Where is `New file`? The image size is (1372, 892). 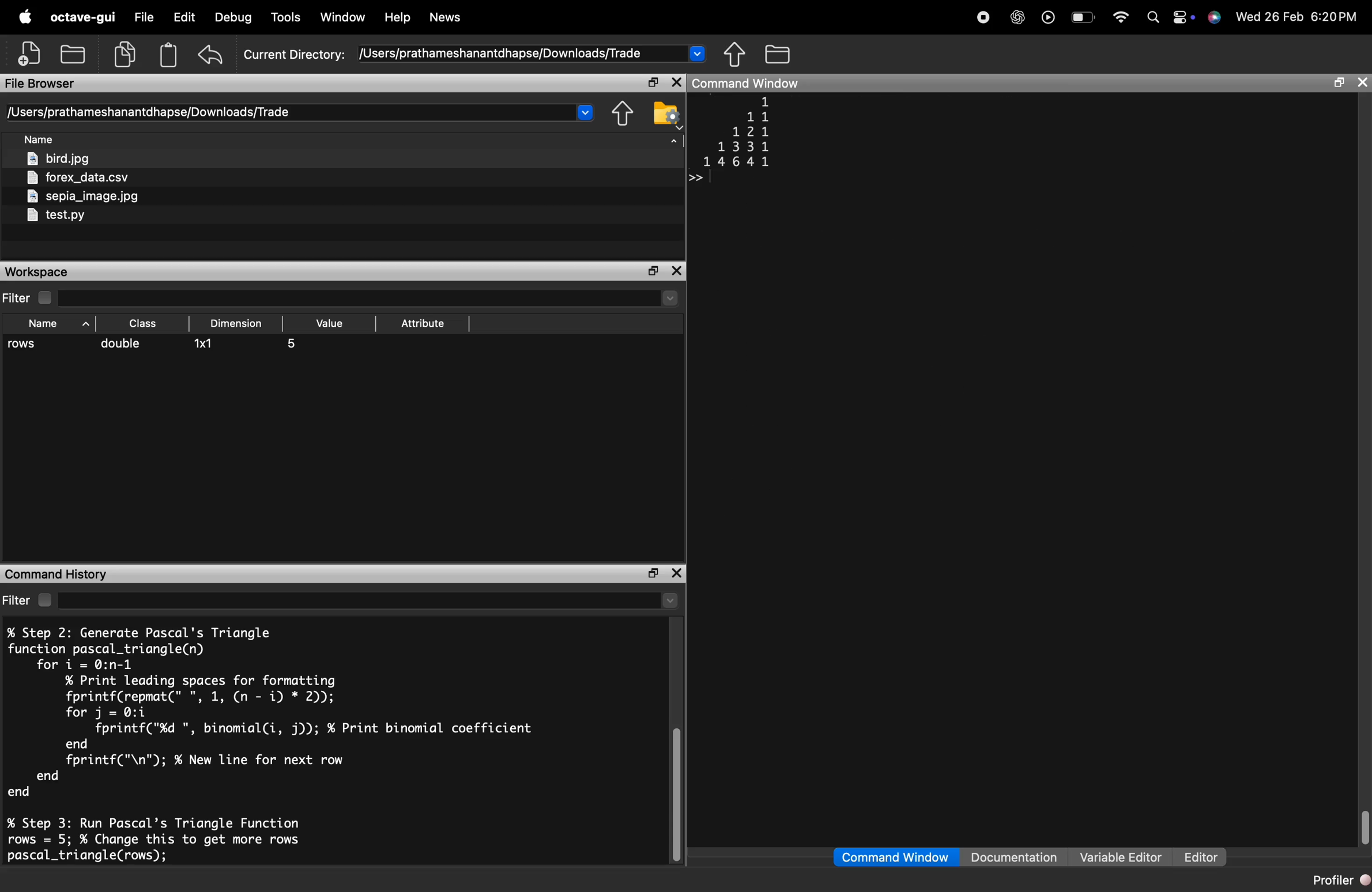 New file is located at coordinates (29, 53).